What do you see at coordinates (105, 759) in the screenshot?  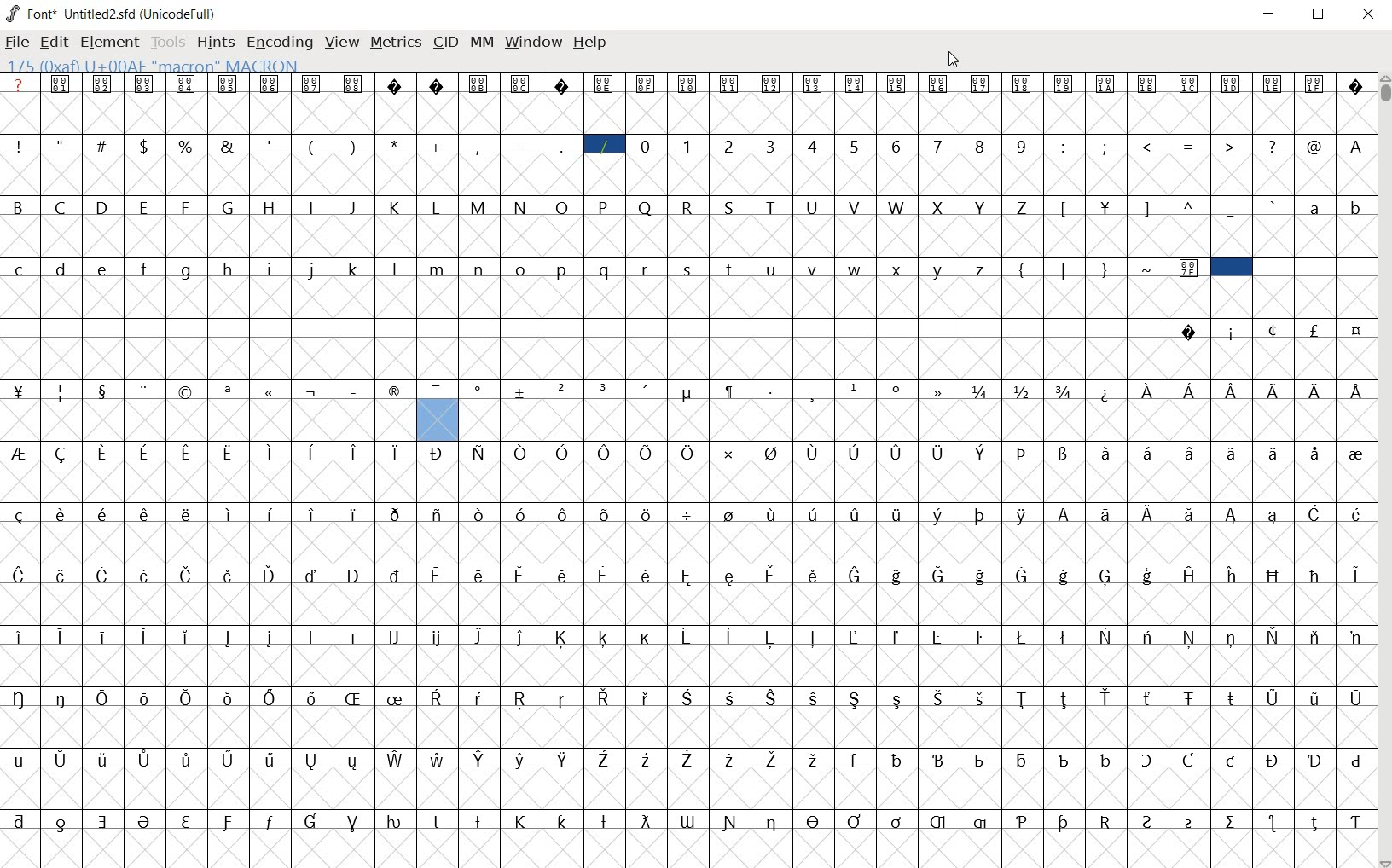 I see `Symbol` at bounding box center [105, 759].